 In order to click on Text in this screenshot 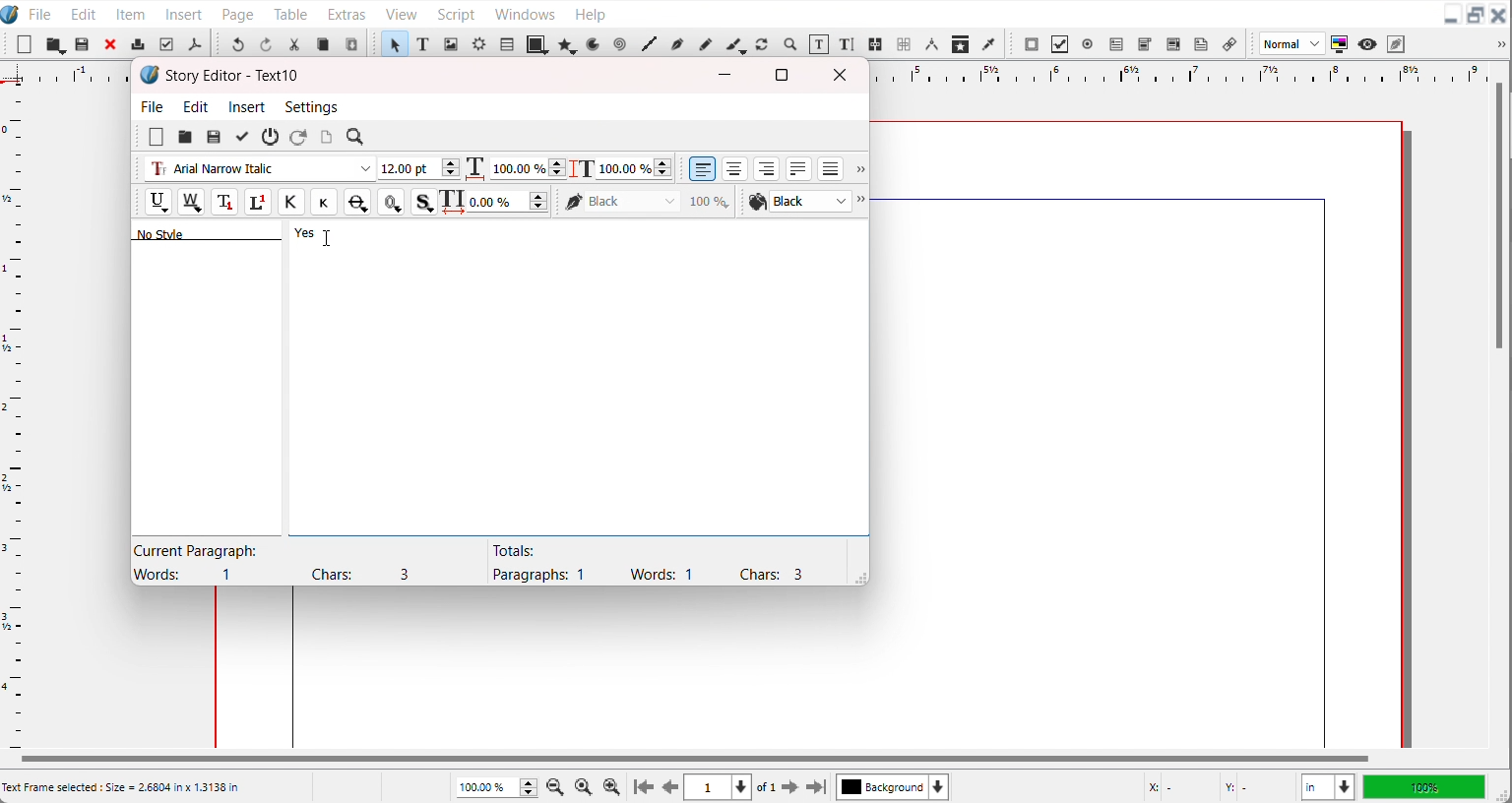, I will do `click(285, 562)`.